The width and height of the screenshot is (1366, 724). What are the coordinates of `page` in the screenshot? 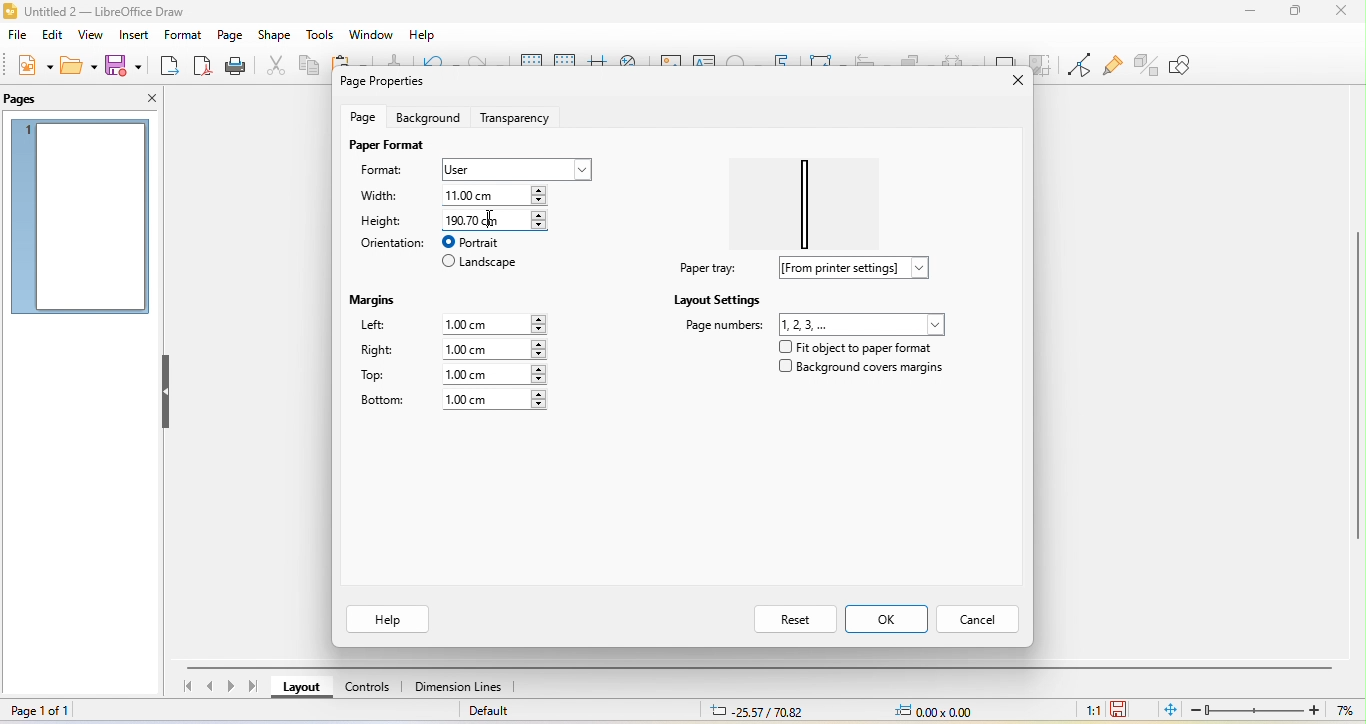 It's located at (366, 116).